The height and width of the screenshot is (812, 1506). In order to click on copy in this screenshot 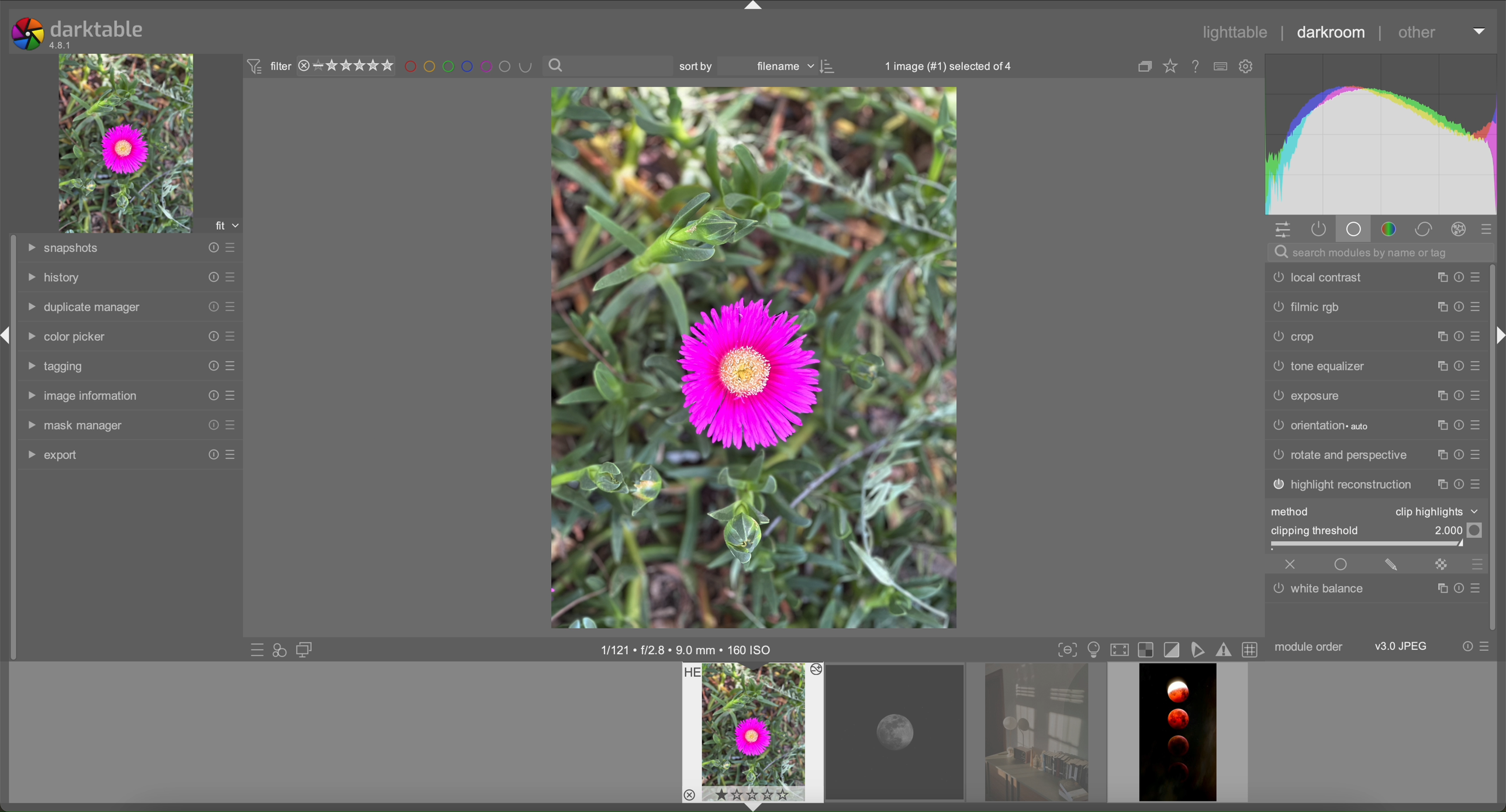, I will do `click(1145, 67)`.